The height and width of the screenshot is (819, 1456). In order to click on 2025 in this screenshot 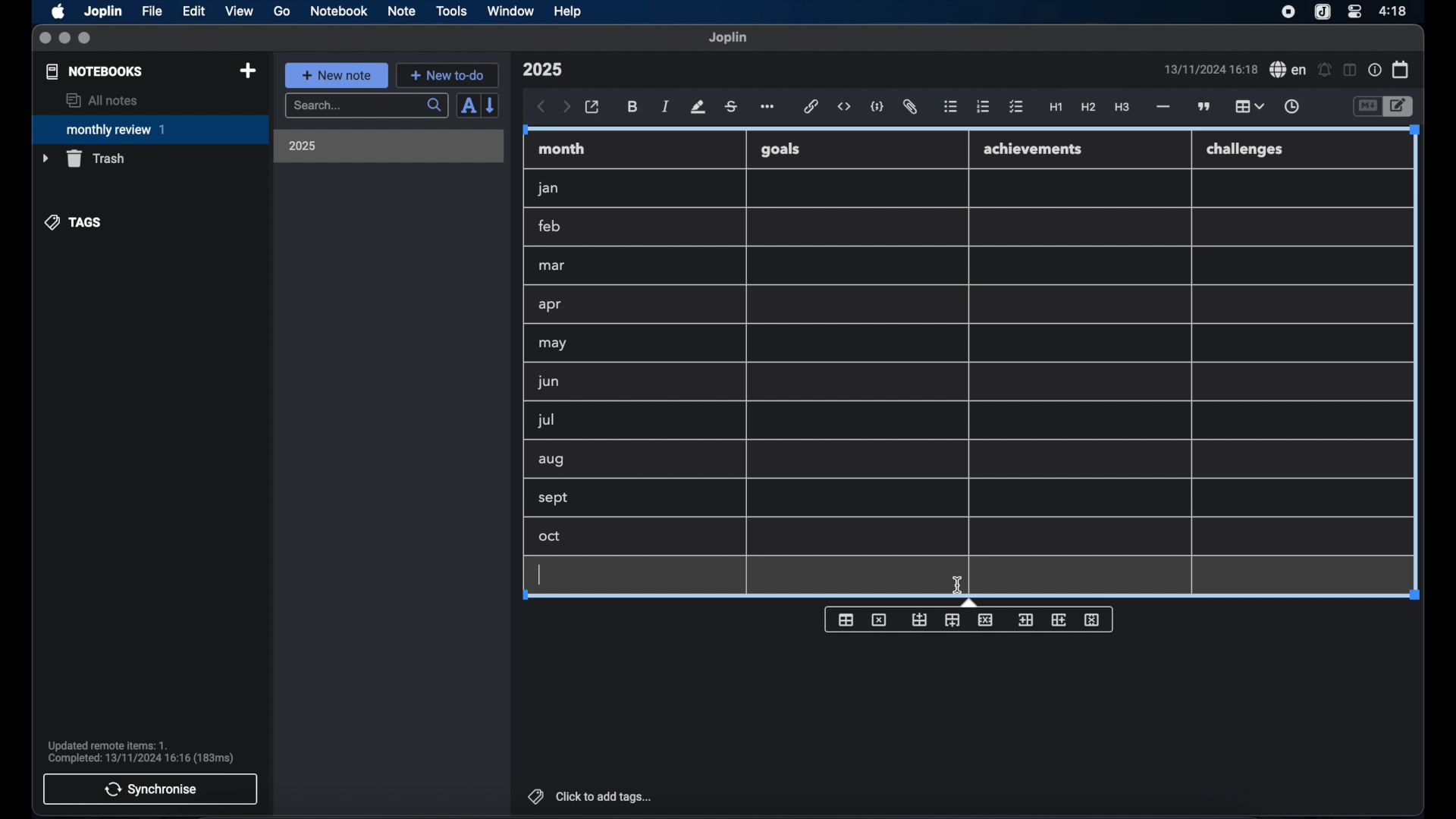, I will do `click(303, 146)`.